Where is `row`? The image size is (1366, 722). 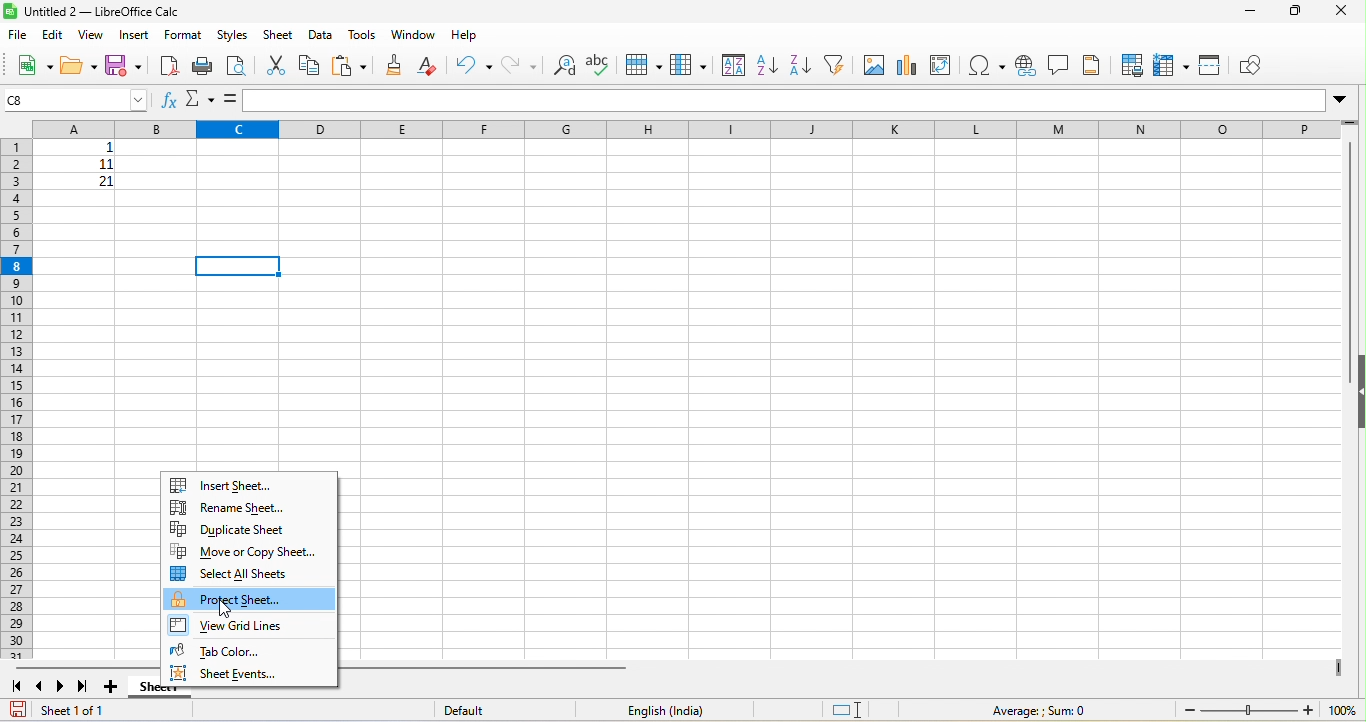
row is located at coordinates (642, 63).